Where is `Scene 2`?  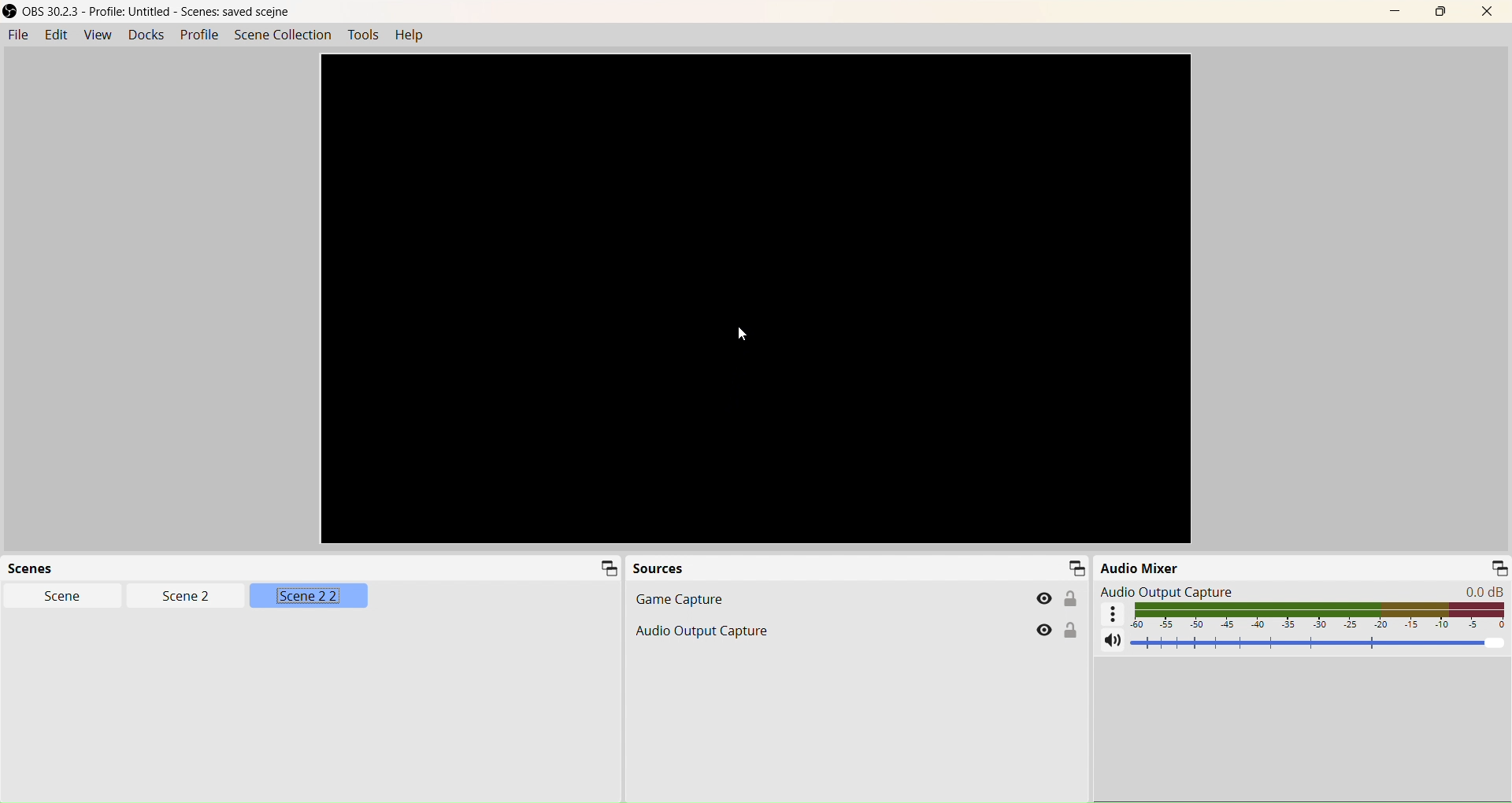 Scene 2 is located at coordinates (187, 595).